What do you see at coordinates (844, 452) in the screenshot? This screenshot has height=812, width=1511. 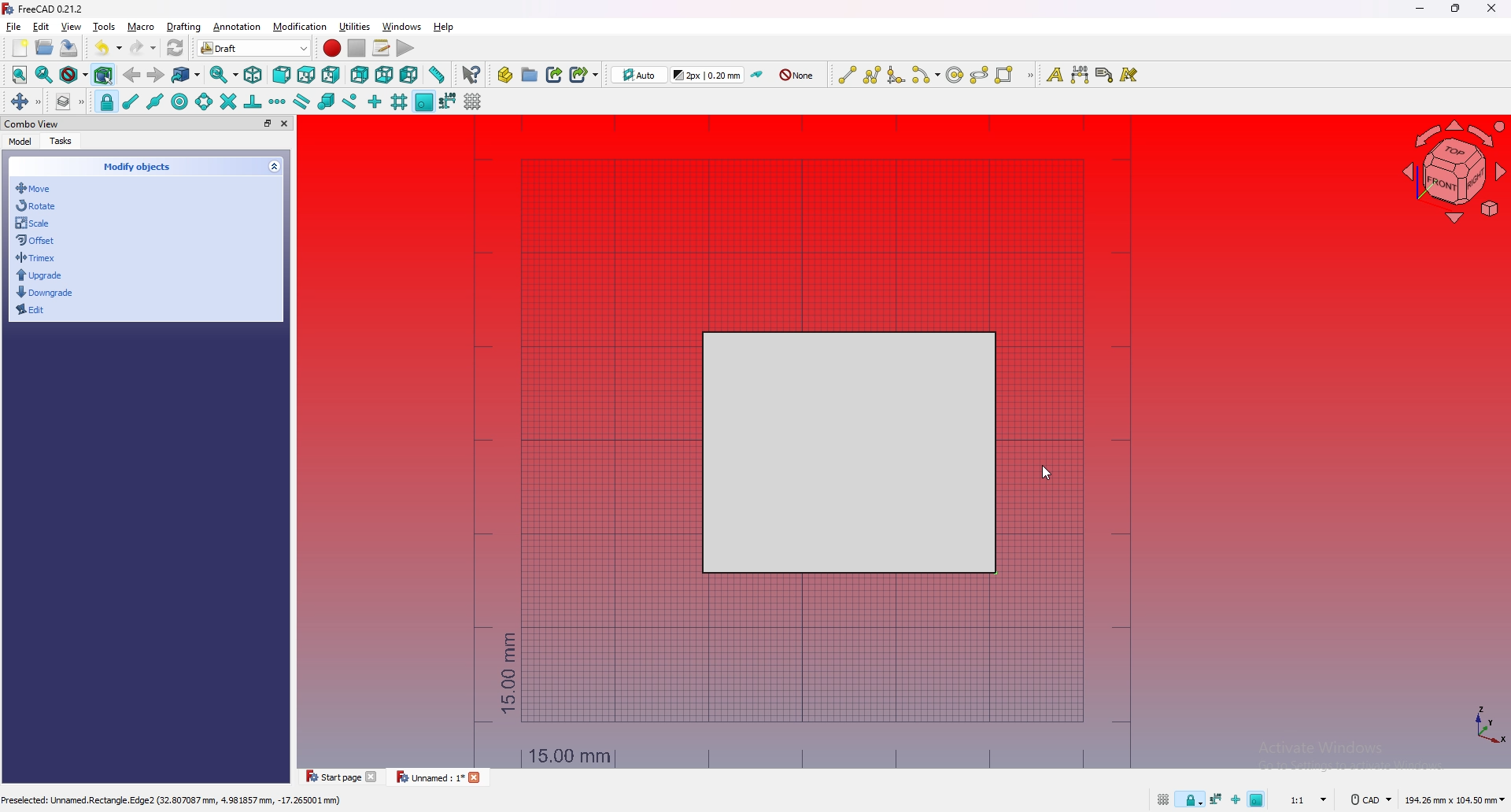 I see `rectangle` at bounding box center [844, 452].